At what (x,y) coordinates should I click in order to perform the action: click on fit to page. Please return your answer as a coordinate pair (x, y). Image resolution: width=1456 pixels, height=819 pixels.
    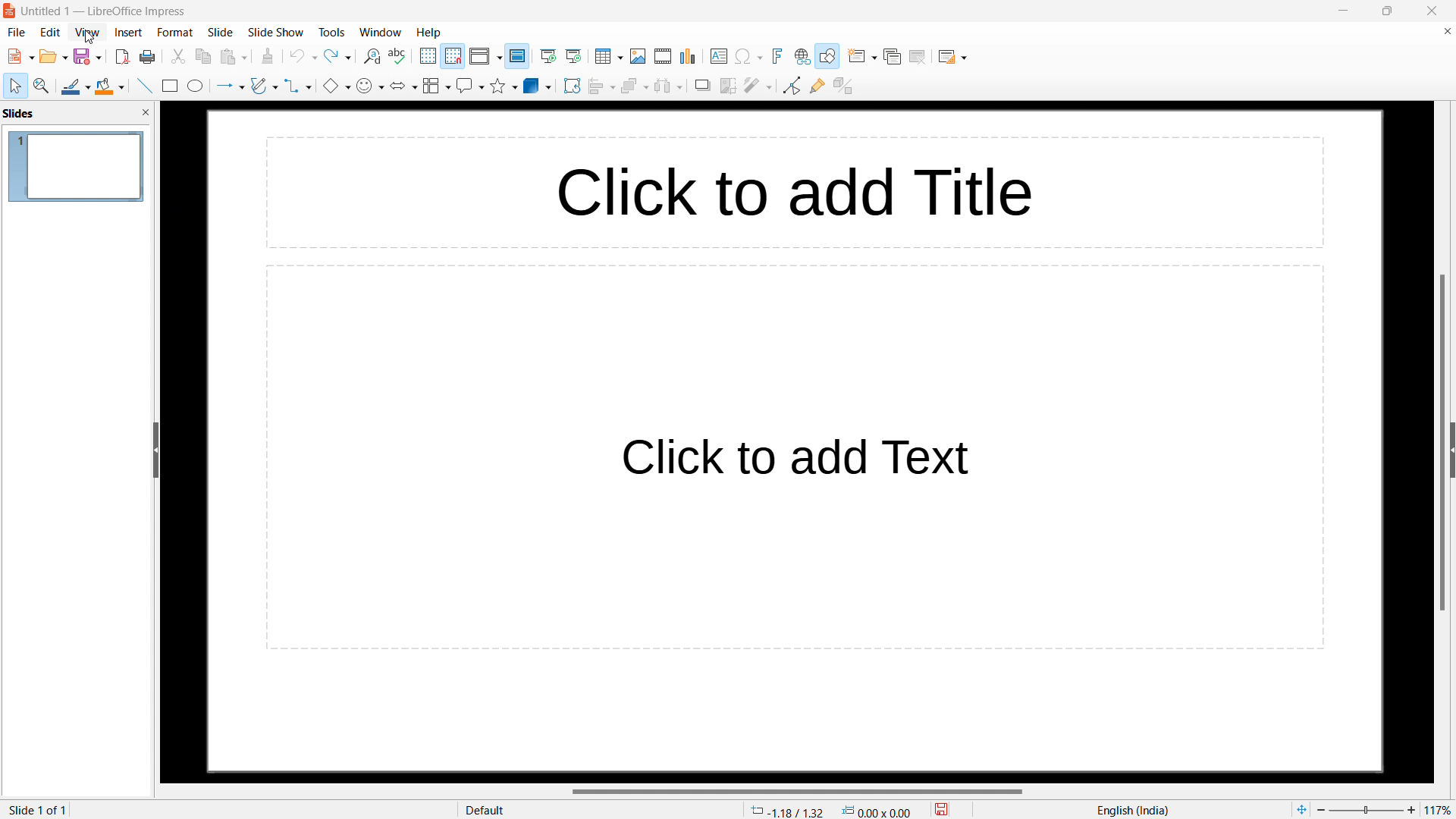
    Looking at the image, I should click on (1301, 809).